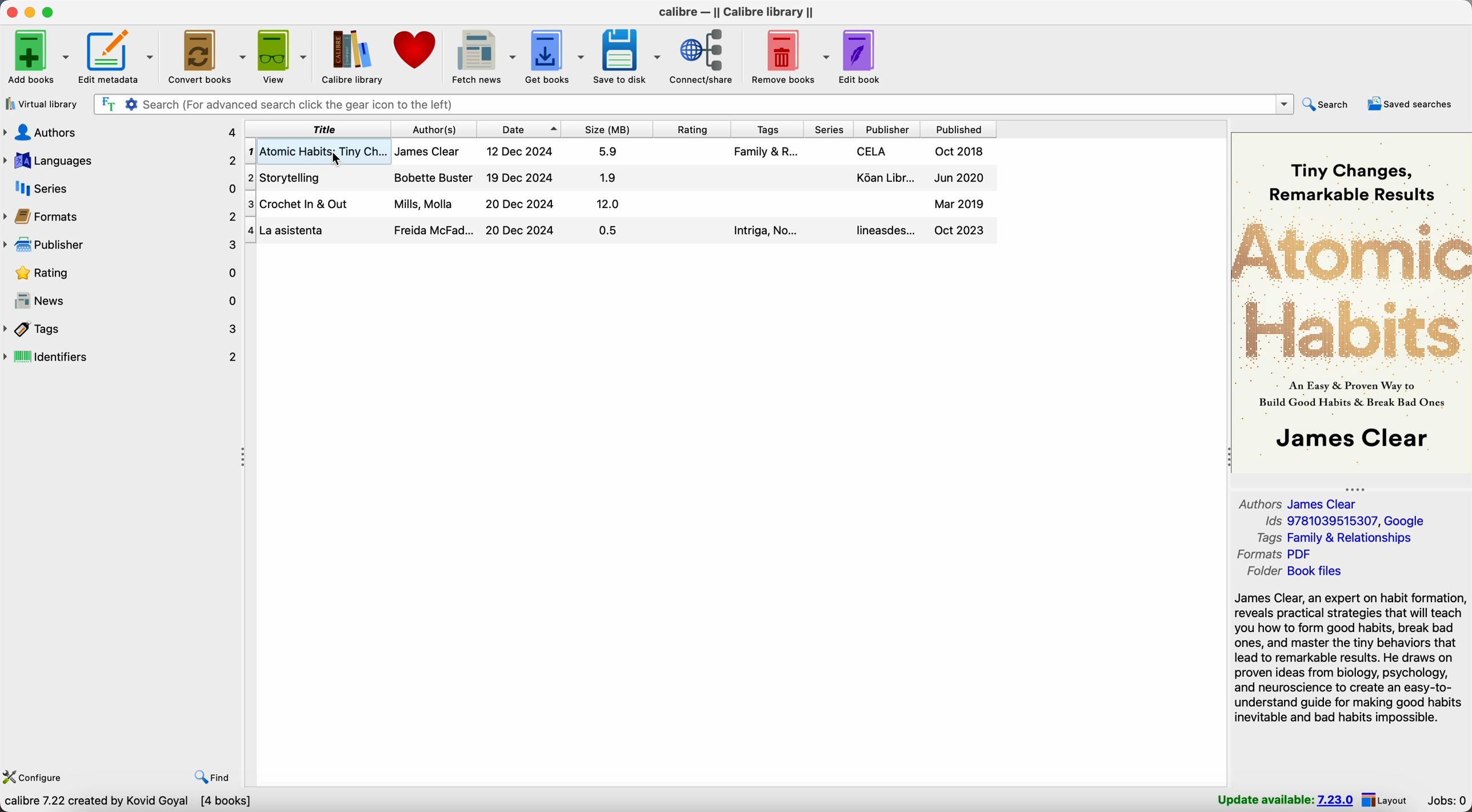 Image resolution: width=1472 pixels, height=812 pixels. Describe the element at coordinates (519, 129) in the screenshot. I see `date` at that location.